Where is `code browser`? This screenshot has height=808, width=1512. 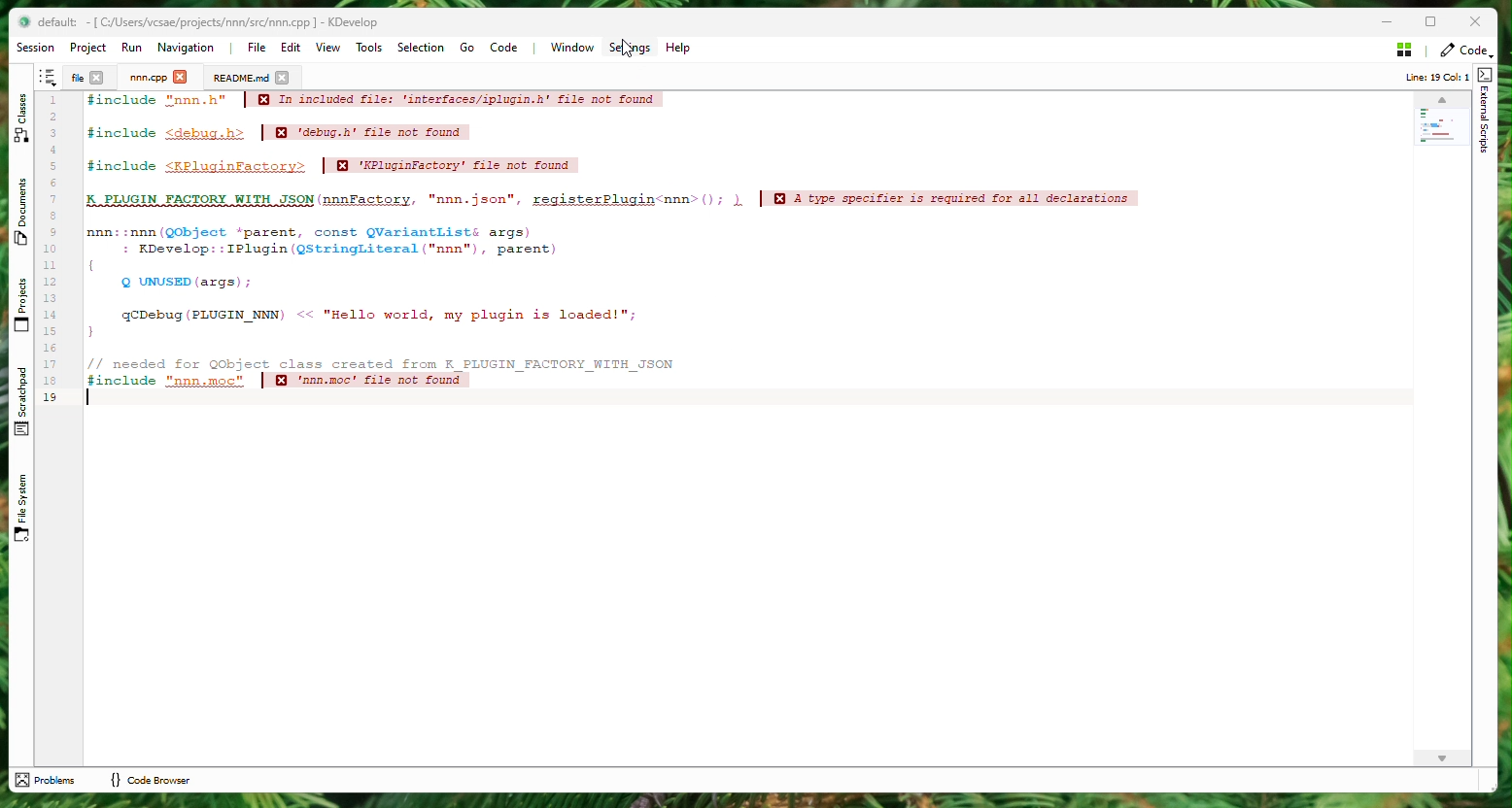
code browser is located at coordinates (155, 782).